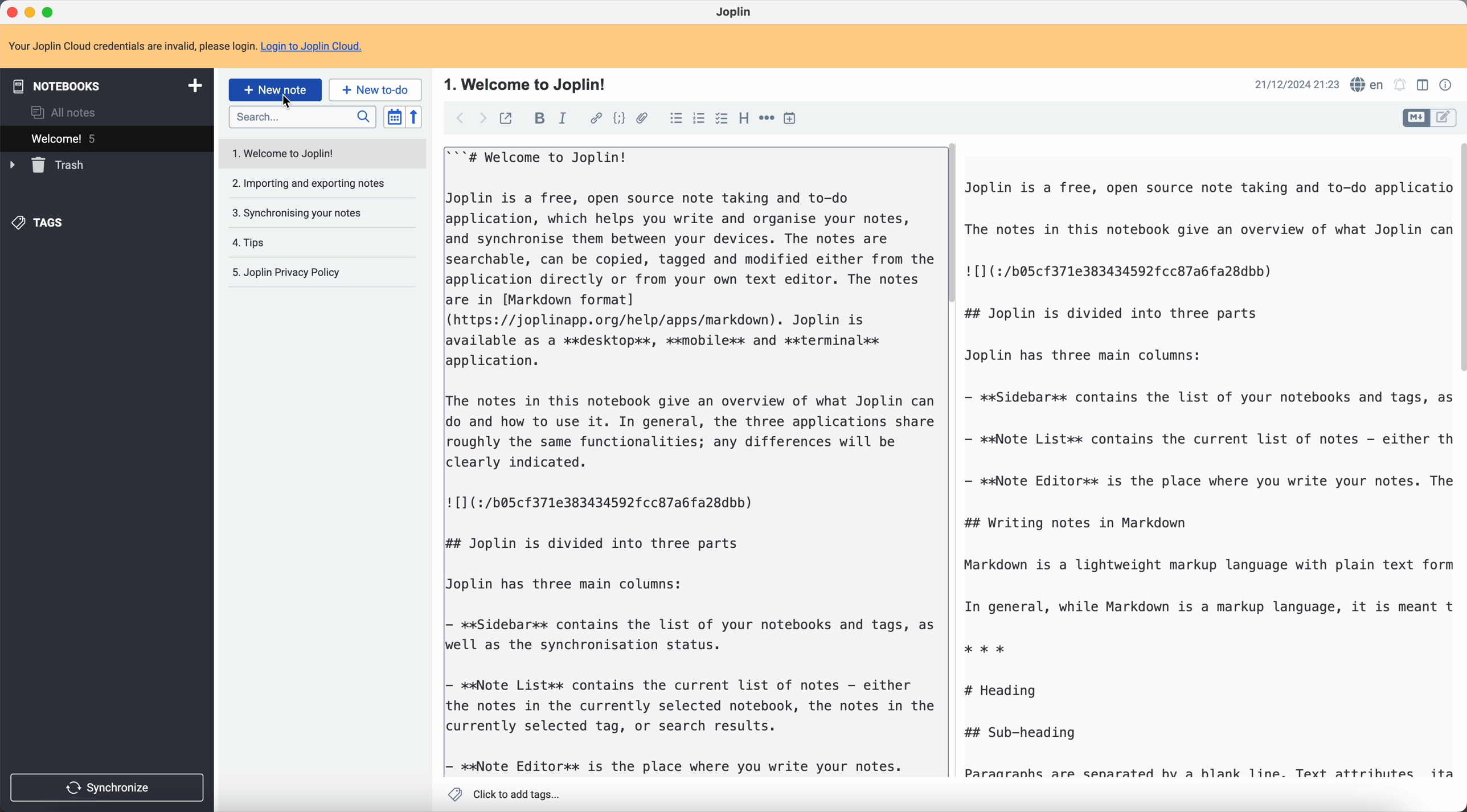  What do you see at coordinates (284, 272) in the screenshot?
I see `Joplin privacy policy` at bounding box center [284, 272].